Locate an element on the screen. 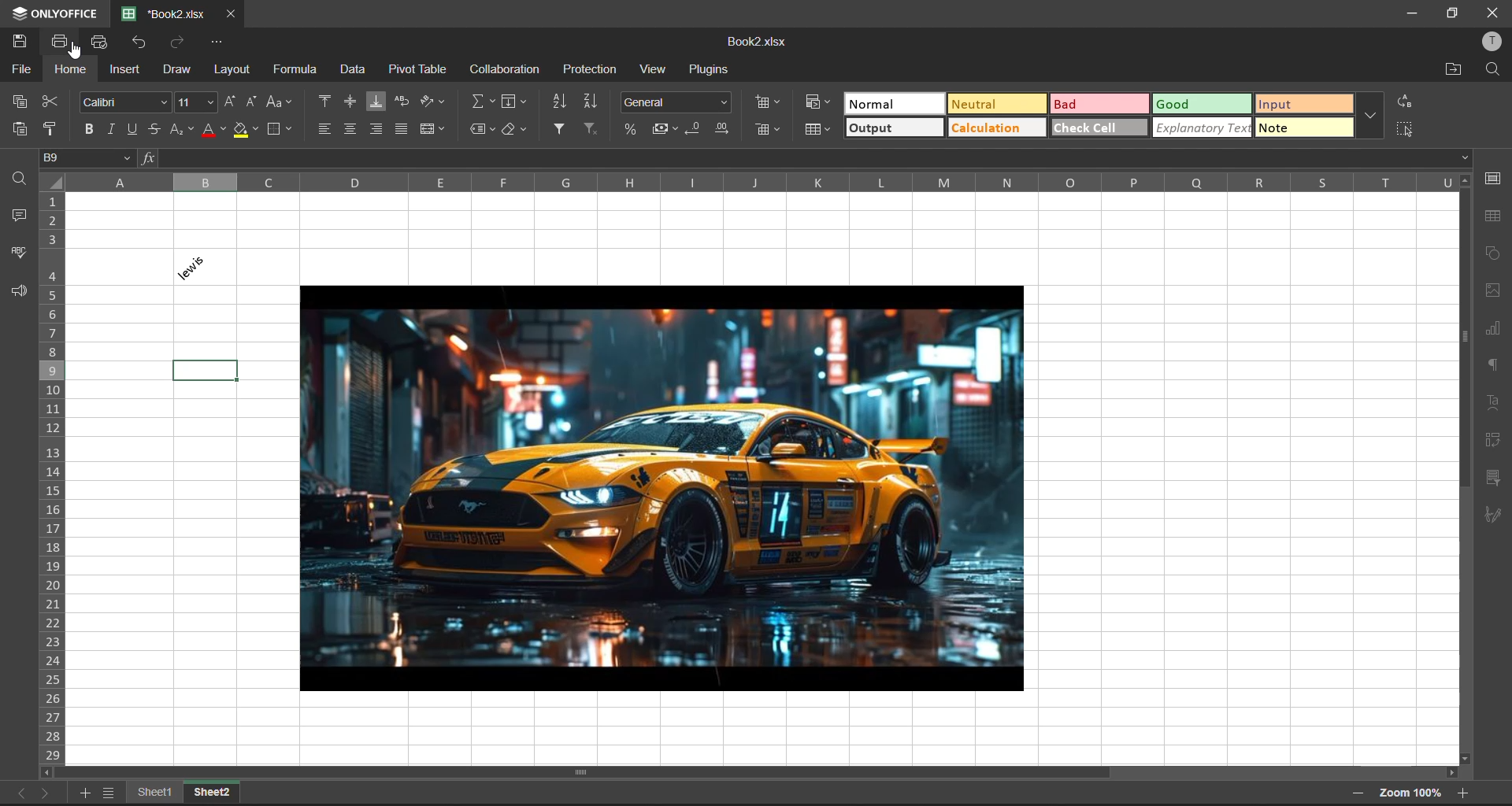 The height and width of the screenshot is (806, 1512). note is located at coordinates (1303, 131).